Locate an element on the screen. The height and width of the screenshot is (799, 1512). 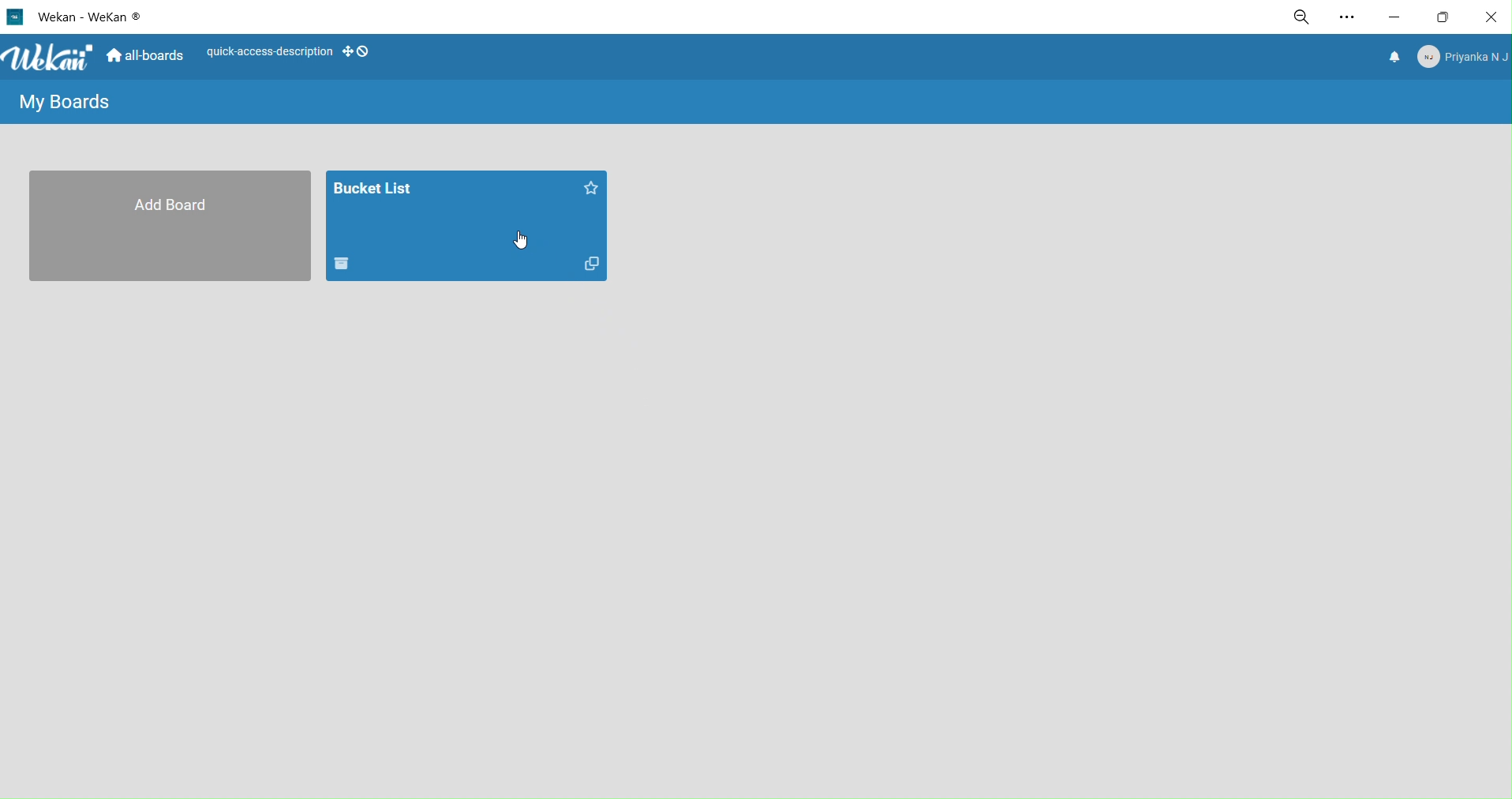
board title is located at coordinates (379, 186).